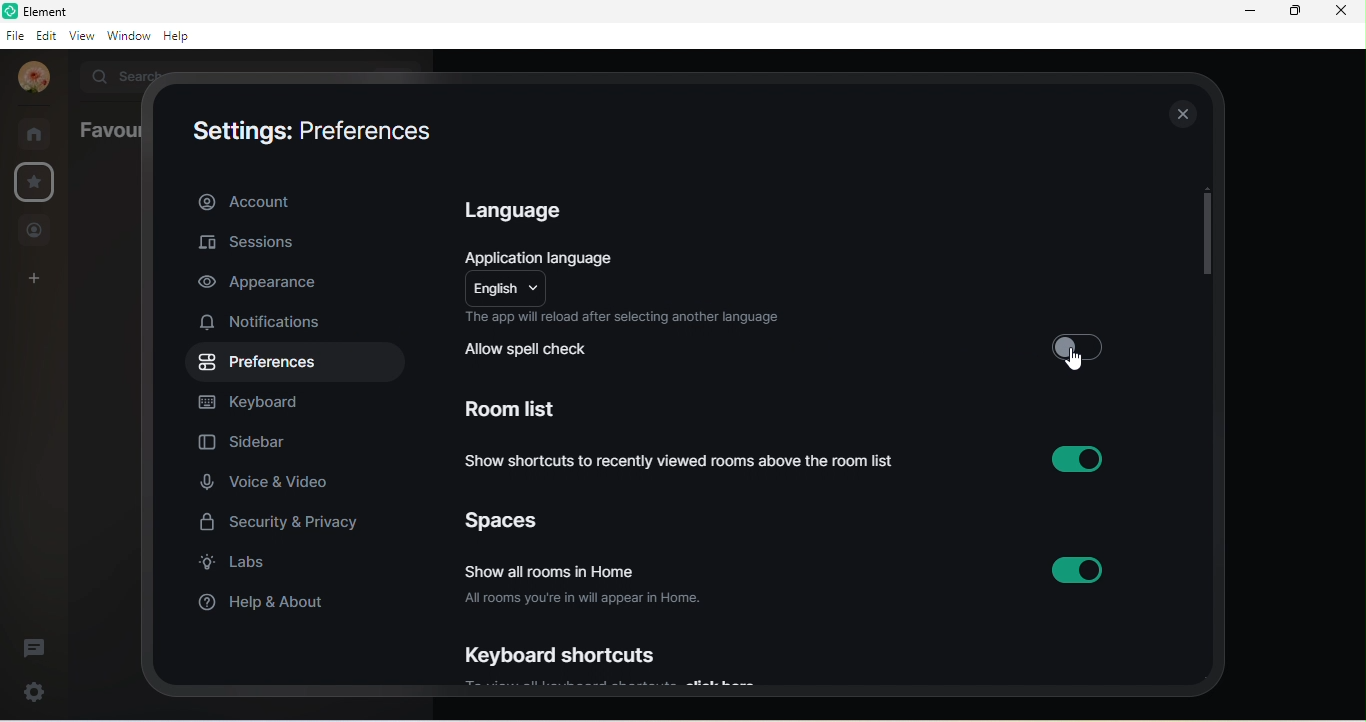 The width and height of the screenshot is (1366, 722). What do you see at coordinates (268, 284) in the screenshot?
I see `appearance` at bounding box center [268, 284].